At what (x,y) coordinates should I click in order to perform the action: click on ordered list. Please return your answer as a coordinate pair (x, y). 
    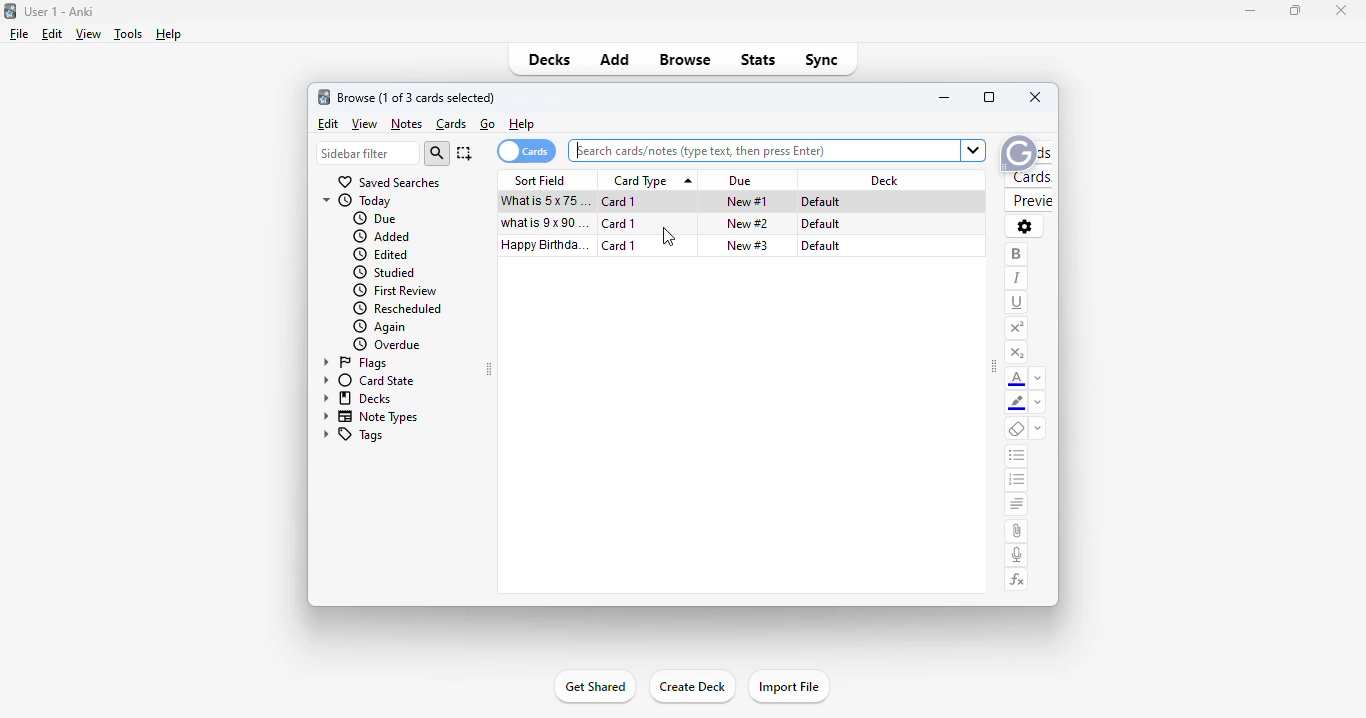
    Looking at the image, I should click on (1018, 480).